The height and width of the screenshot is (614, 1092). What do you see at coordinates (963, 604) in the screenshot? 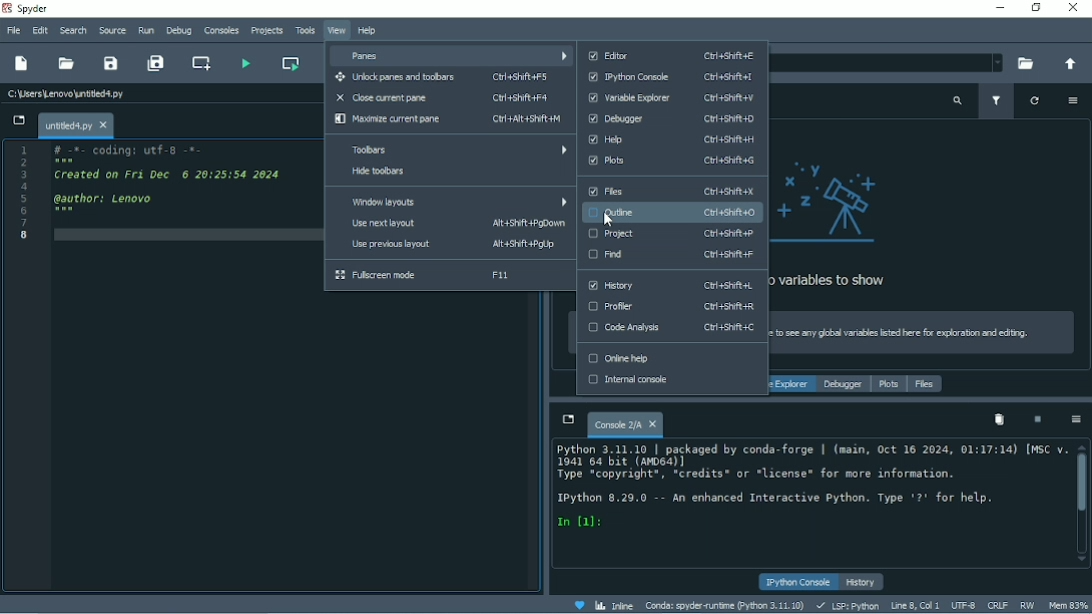
I see `UTF` at bounding box center [963, 604].